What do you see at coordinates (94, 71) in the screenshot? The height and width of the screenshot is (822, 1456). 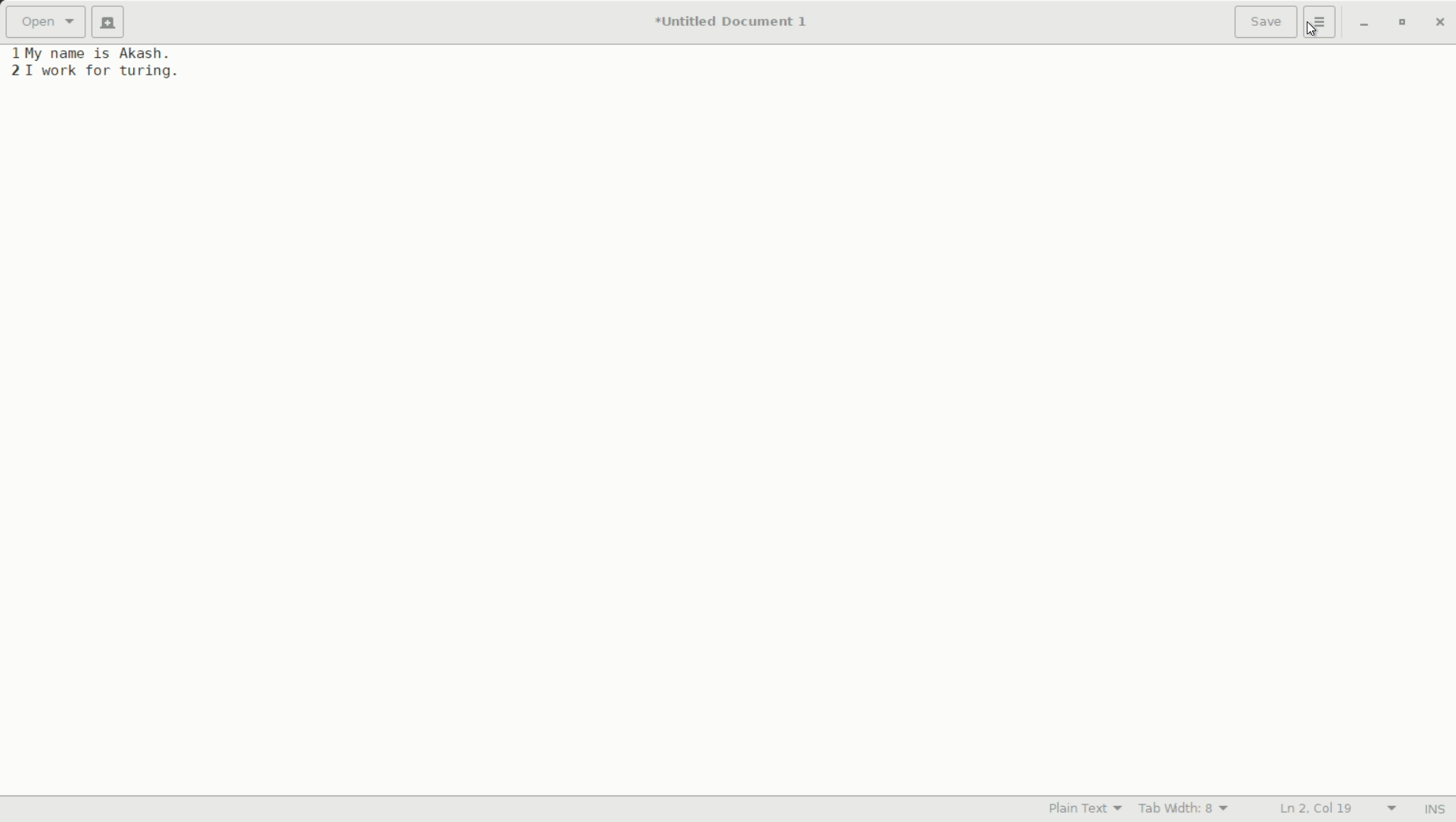 I see `2 I work for turing.` at bounding box center [94, 71].